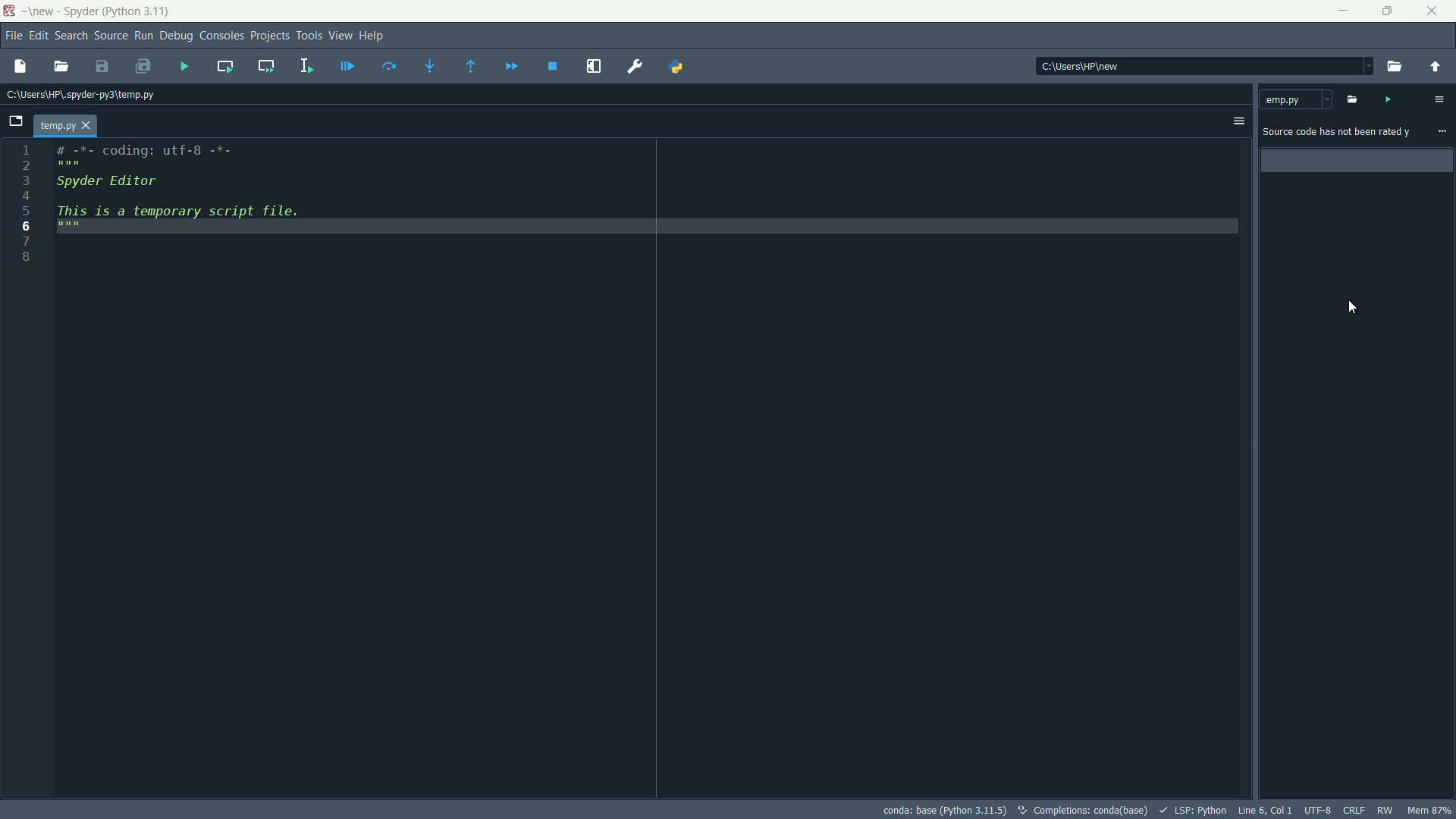  I want to click on open file, so click(19, 67).